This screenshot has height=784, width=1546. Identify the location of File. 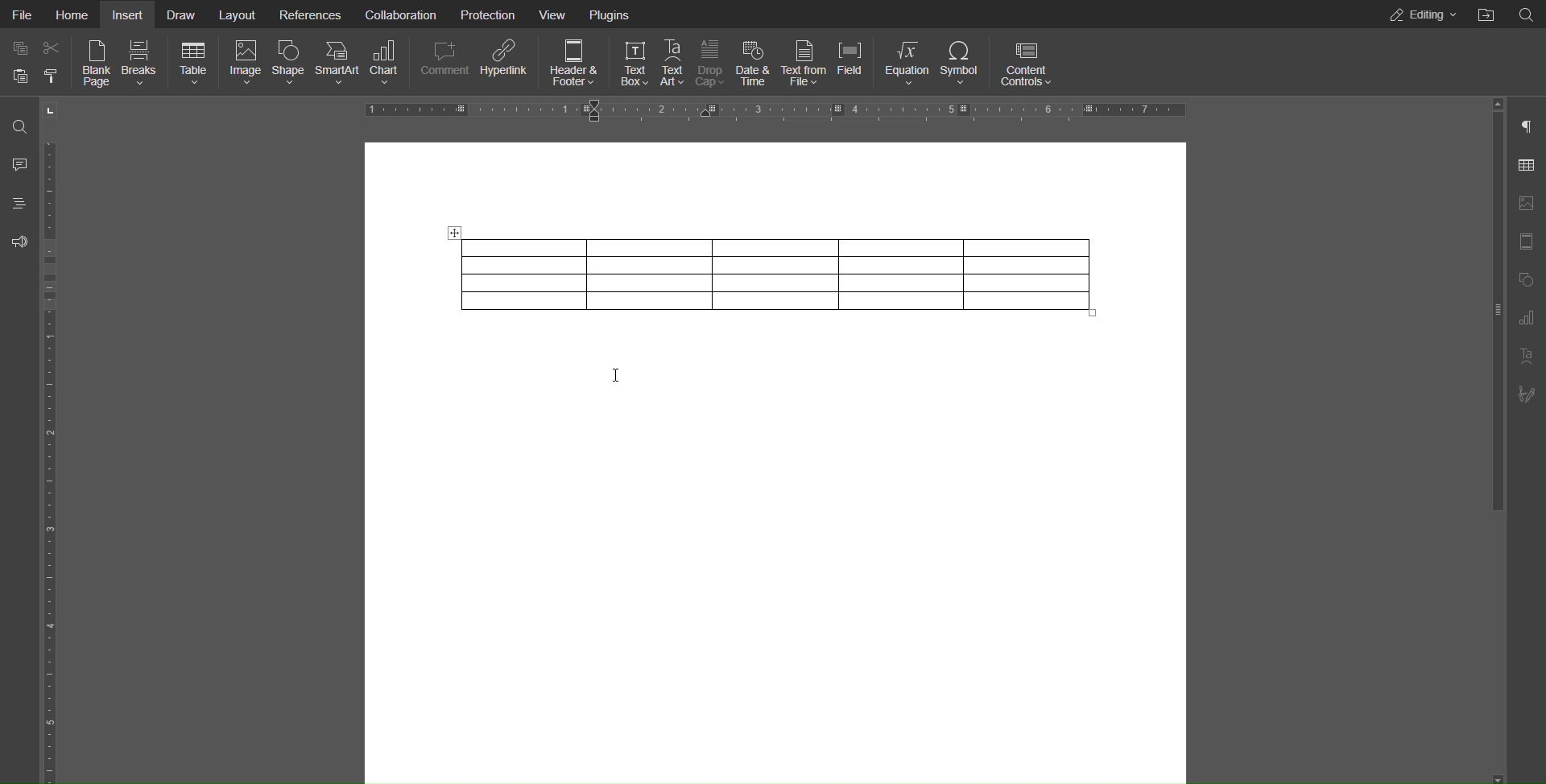
(23, 14).